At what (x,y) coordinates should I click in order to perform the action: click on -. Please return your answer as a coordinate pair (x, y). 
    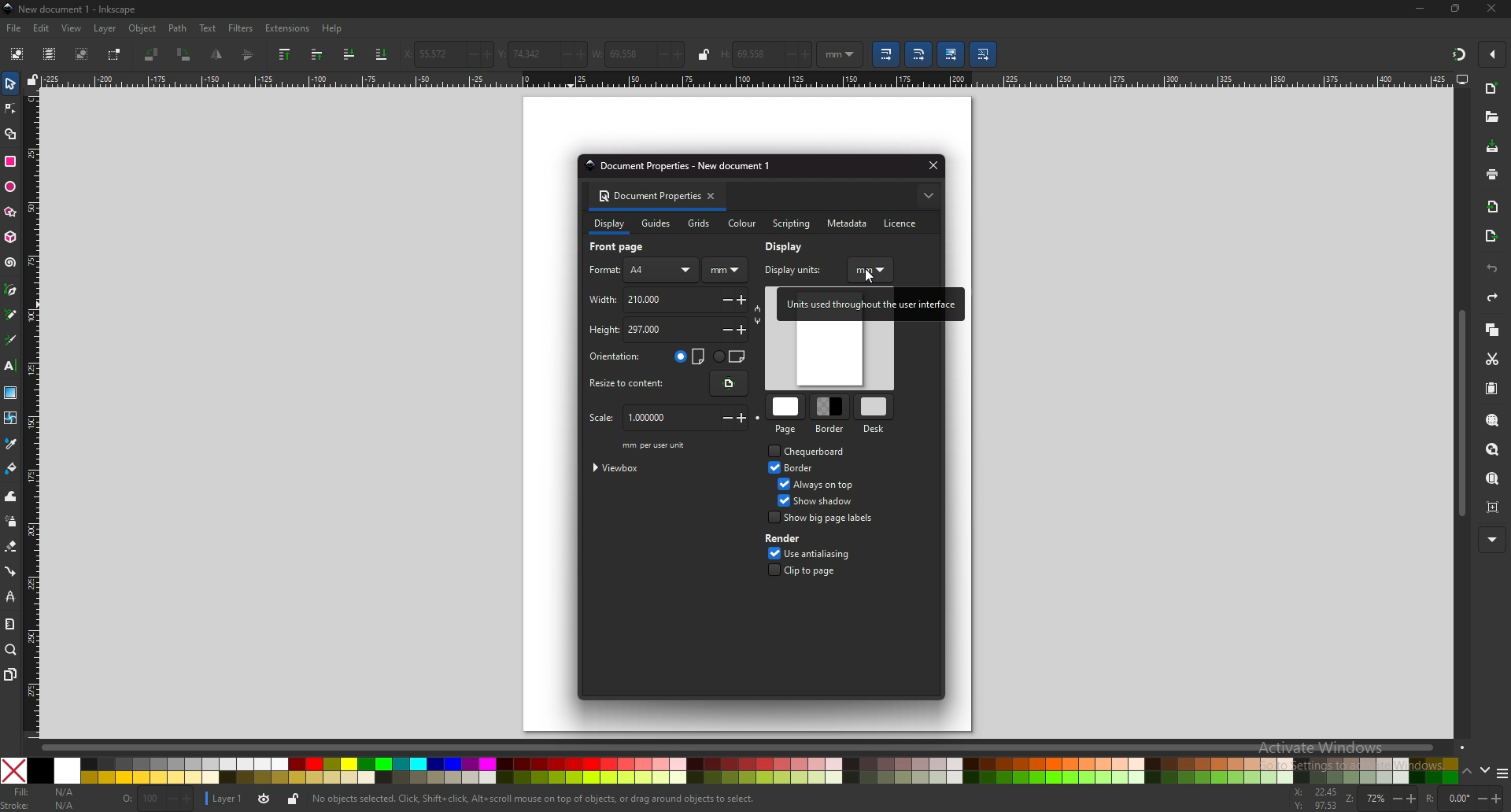
    Looking at the image, I should click on (722, 419).